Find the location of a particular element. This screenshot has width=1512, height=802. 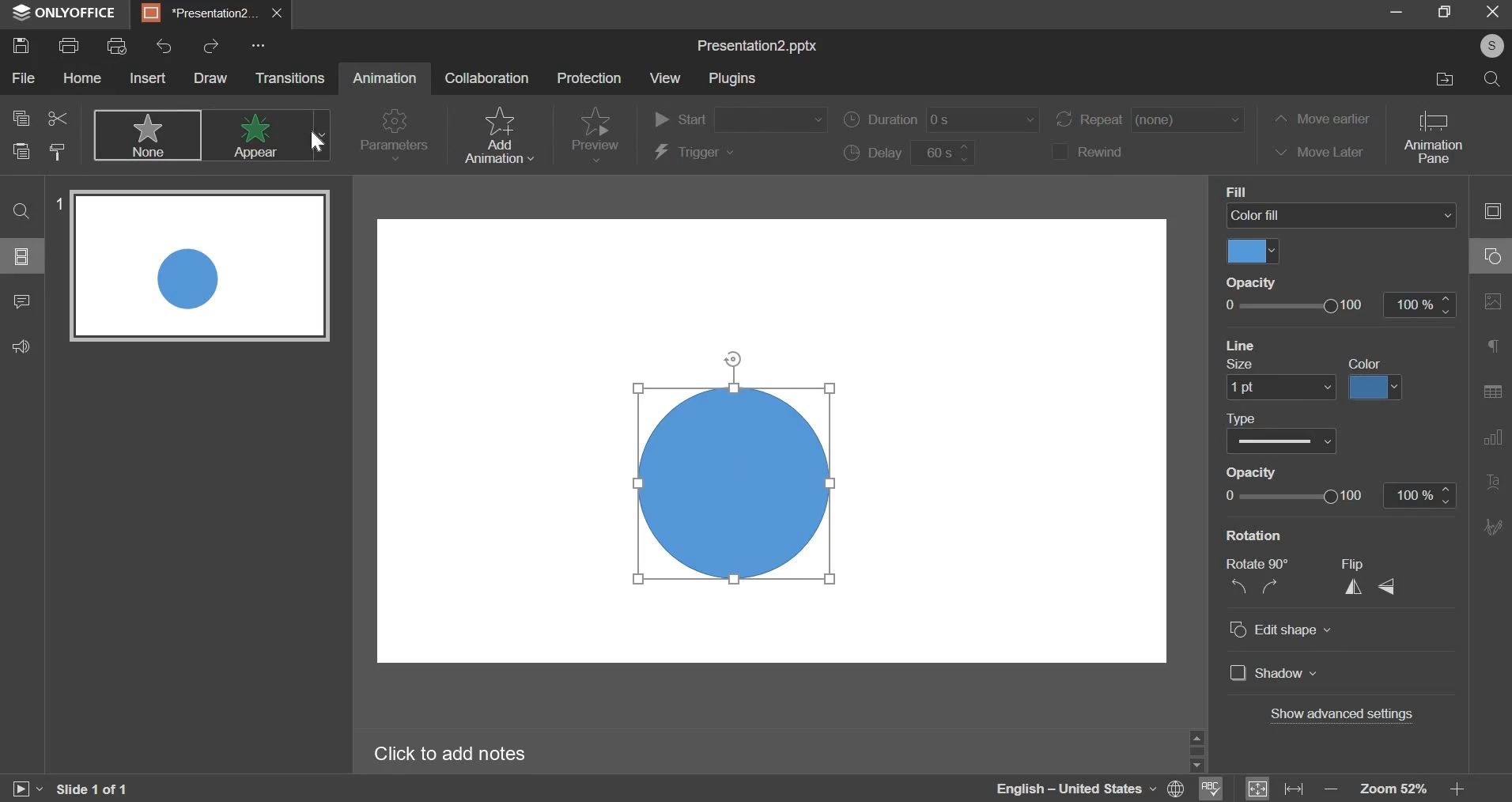

Protection is located at coordinates (592, 80).